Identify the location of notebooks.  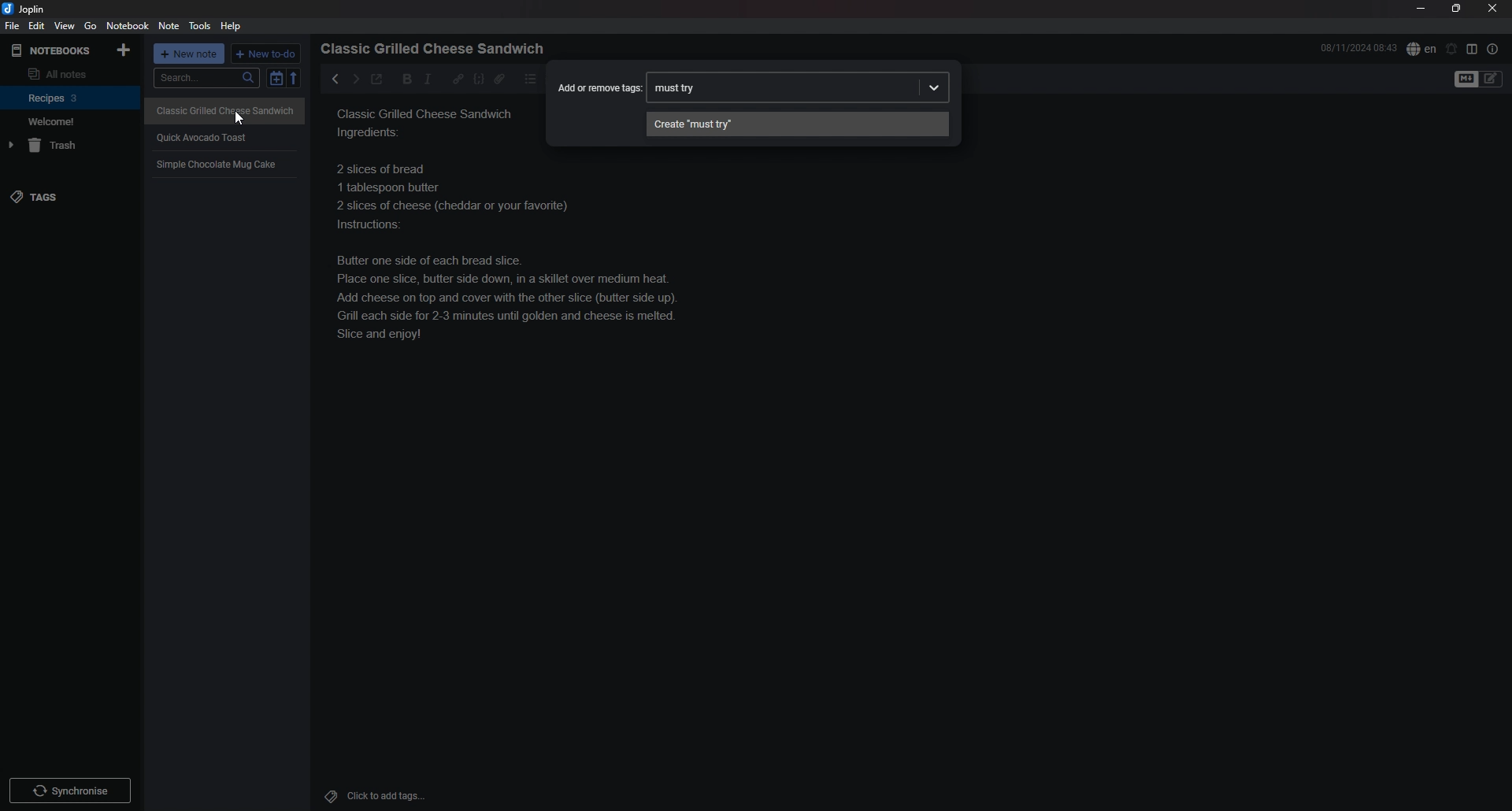
(53, 50).